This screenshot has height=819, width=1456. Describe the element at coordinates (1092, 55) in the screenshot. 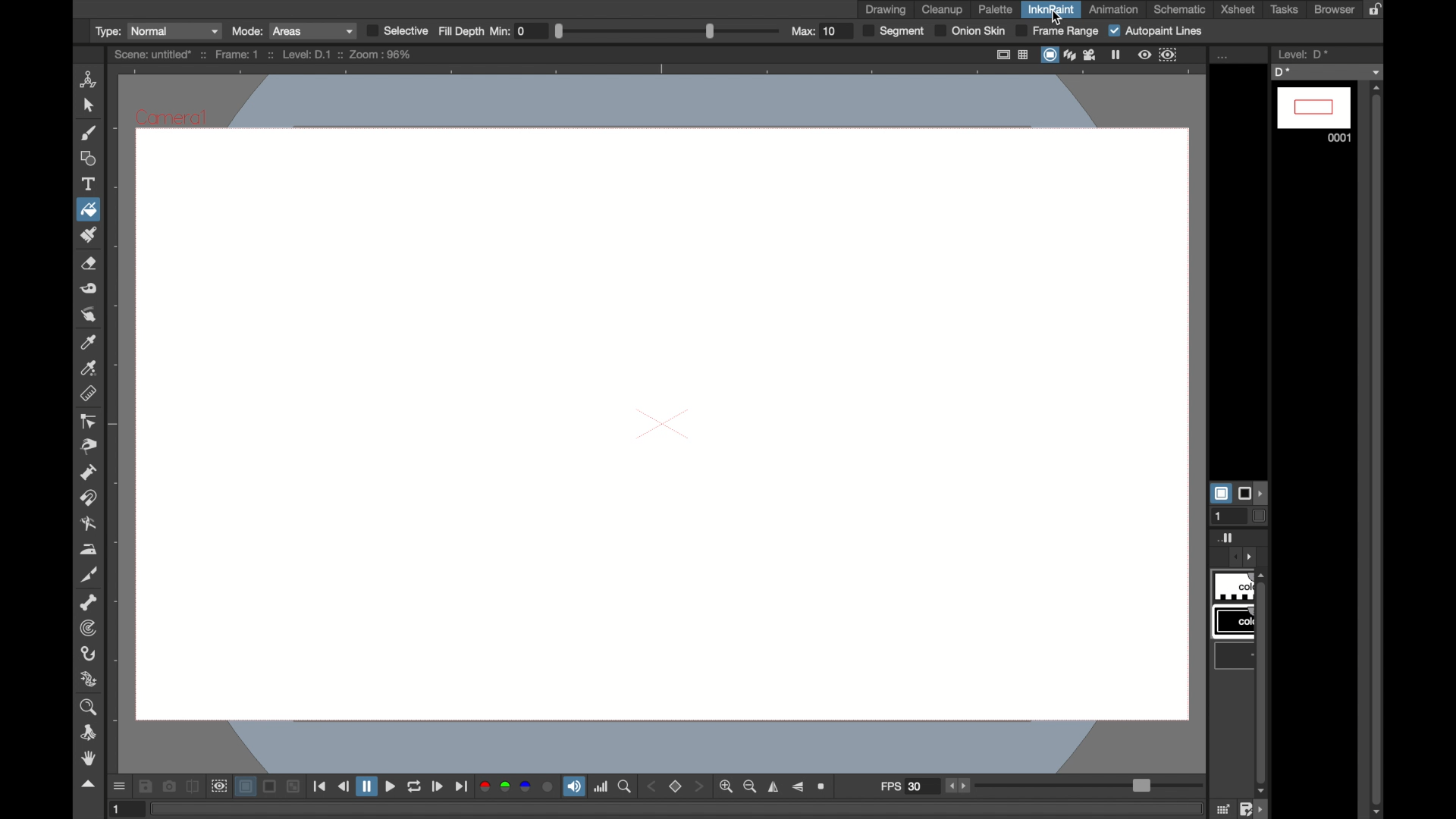

I see `film` at that location.